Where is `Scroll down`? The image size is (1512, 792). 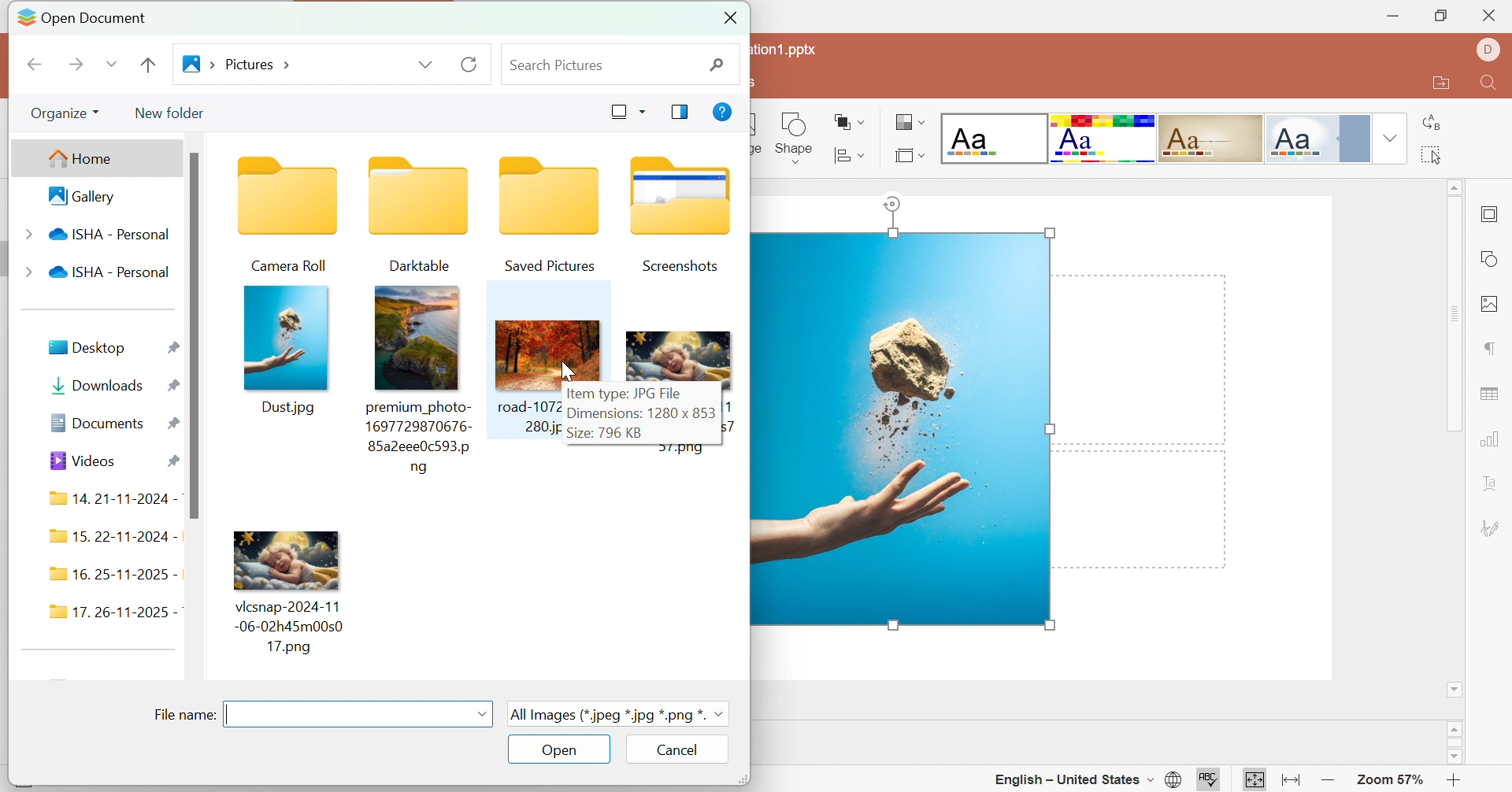 Scroll down is located at coordinates (1455, 690).